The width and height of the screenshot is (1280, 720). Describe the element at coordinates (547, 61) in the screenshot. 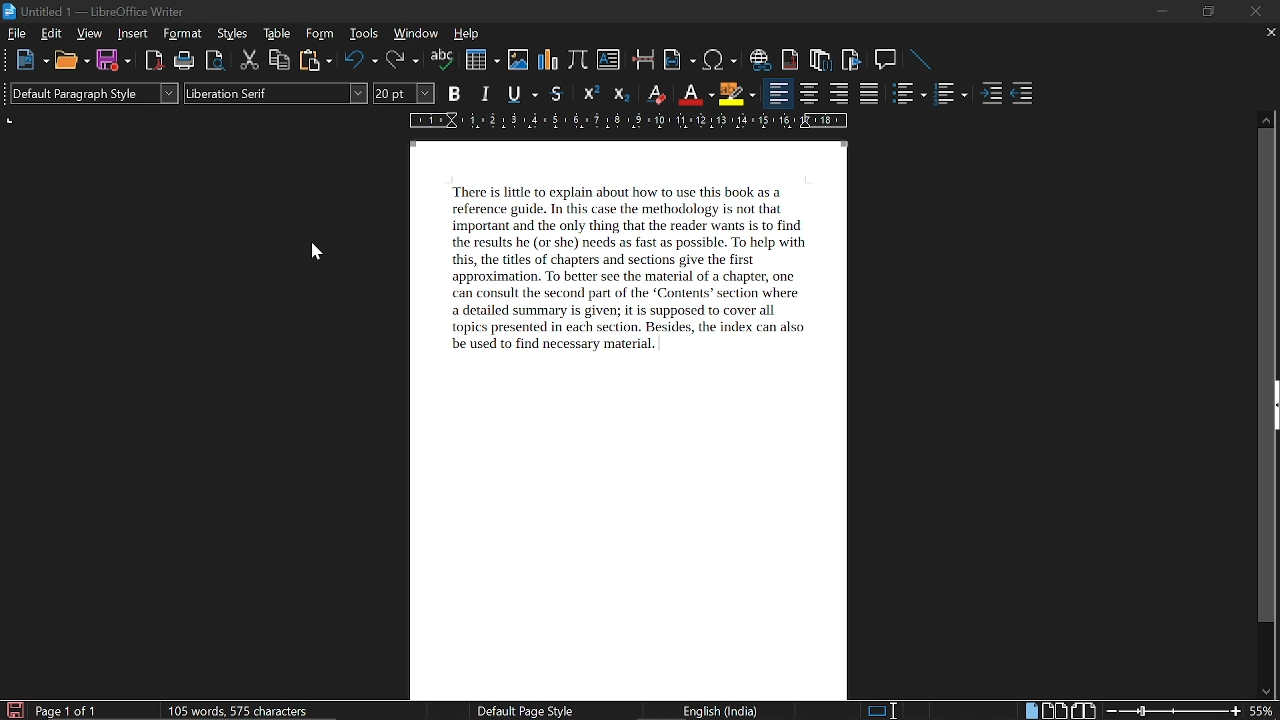

I see `insert chart` at that location.